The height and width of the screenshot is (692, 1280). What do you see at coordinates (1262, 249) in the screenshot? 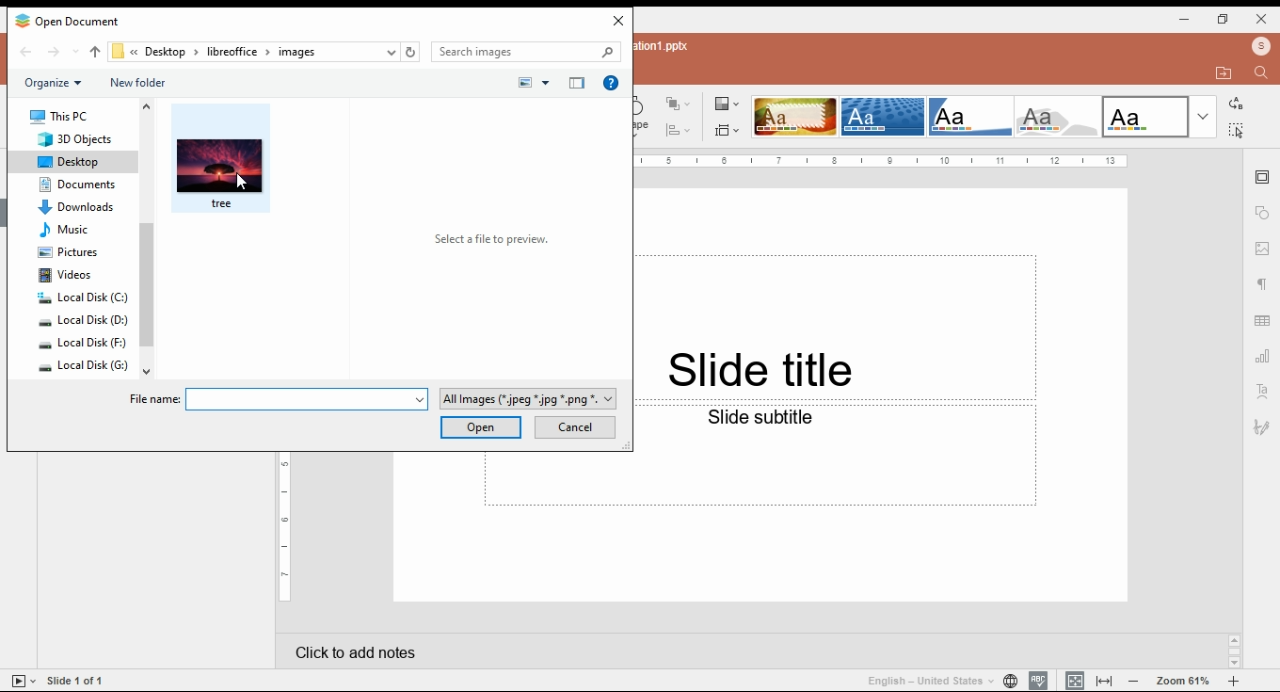
I see `image settings` at bounding box center [1262, 249].